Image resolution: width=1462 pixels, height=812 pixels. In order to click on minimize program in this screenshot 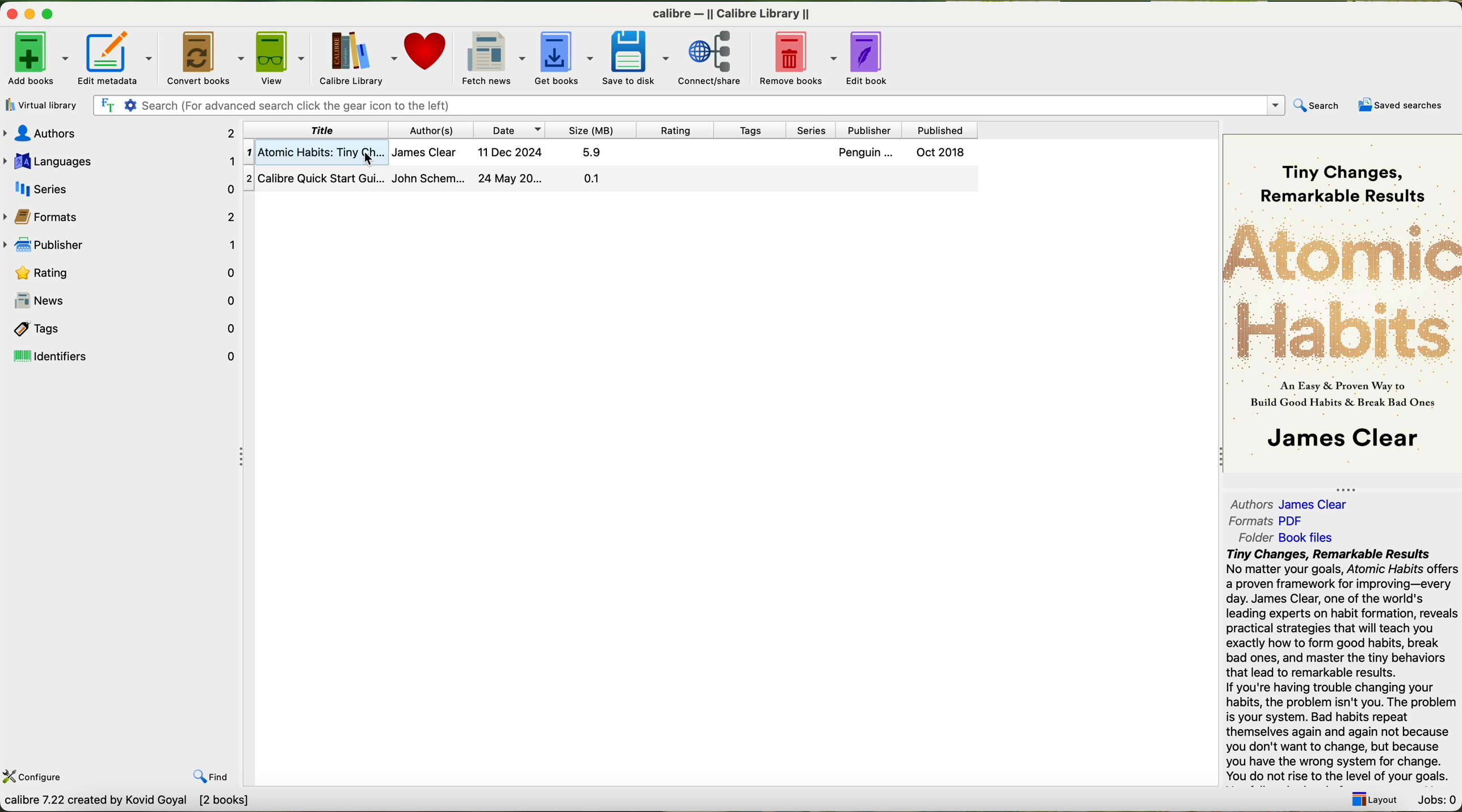, I will do `click(29, 15)`.